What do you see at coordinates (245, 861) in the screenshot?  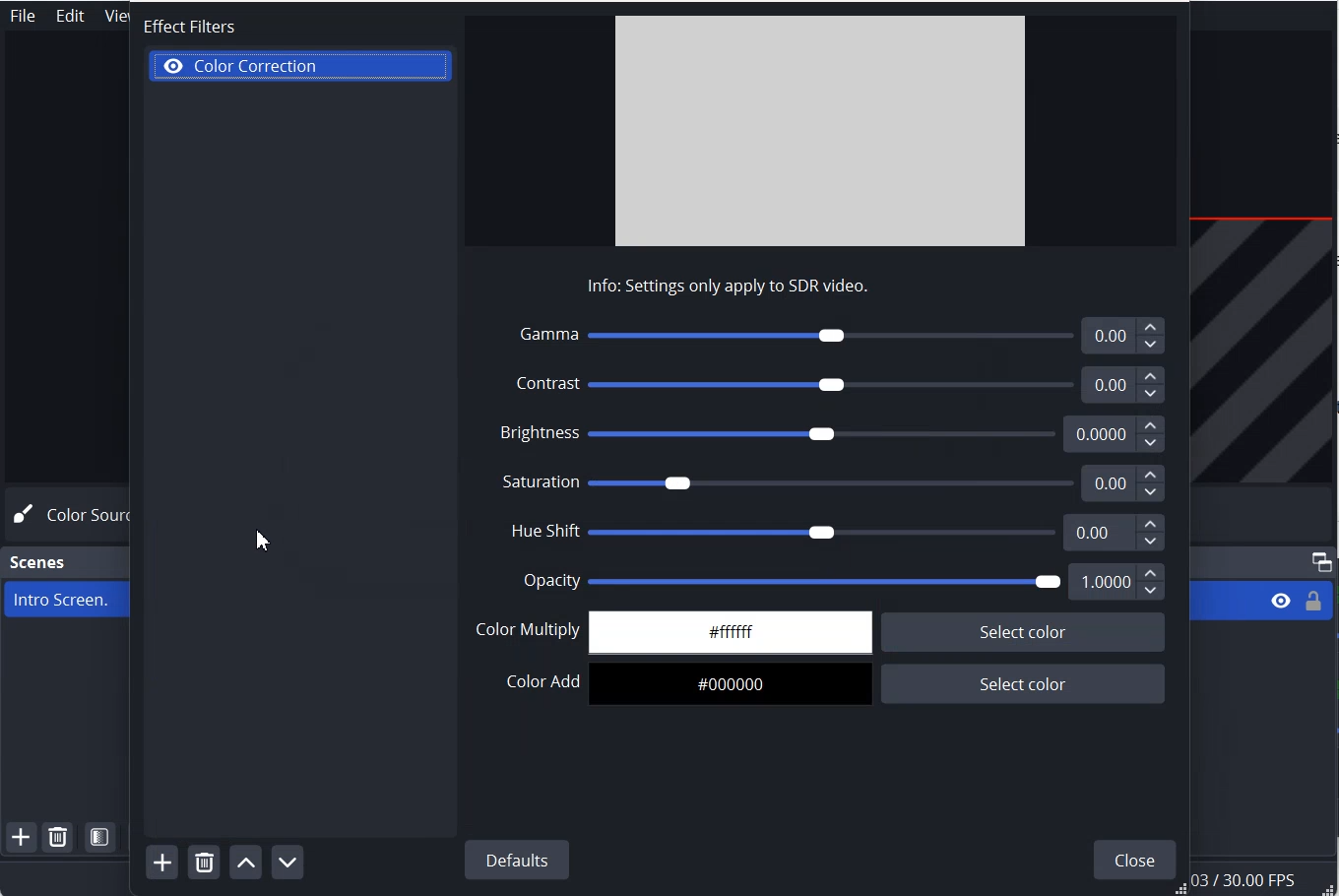 I see `Move filter up` at bounding box center [245, 861].